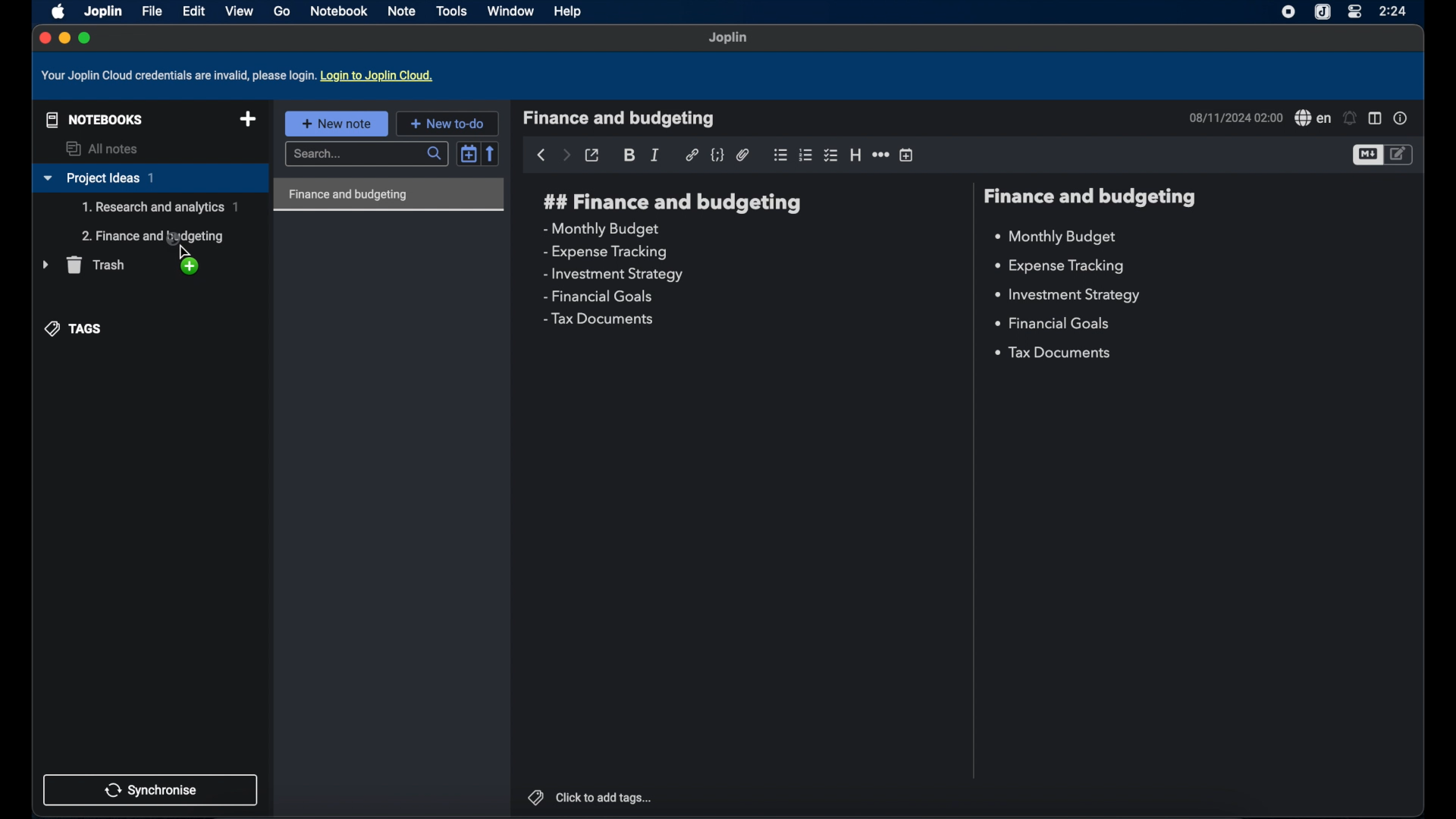 This screenshot has width=1456, height=819. Describe the element at coordinates (1056, 237) in the screenshot. I see `monthly  budget` at that location.